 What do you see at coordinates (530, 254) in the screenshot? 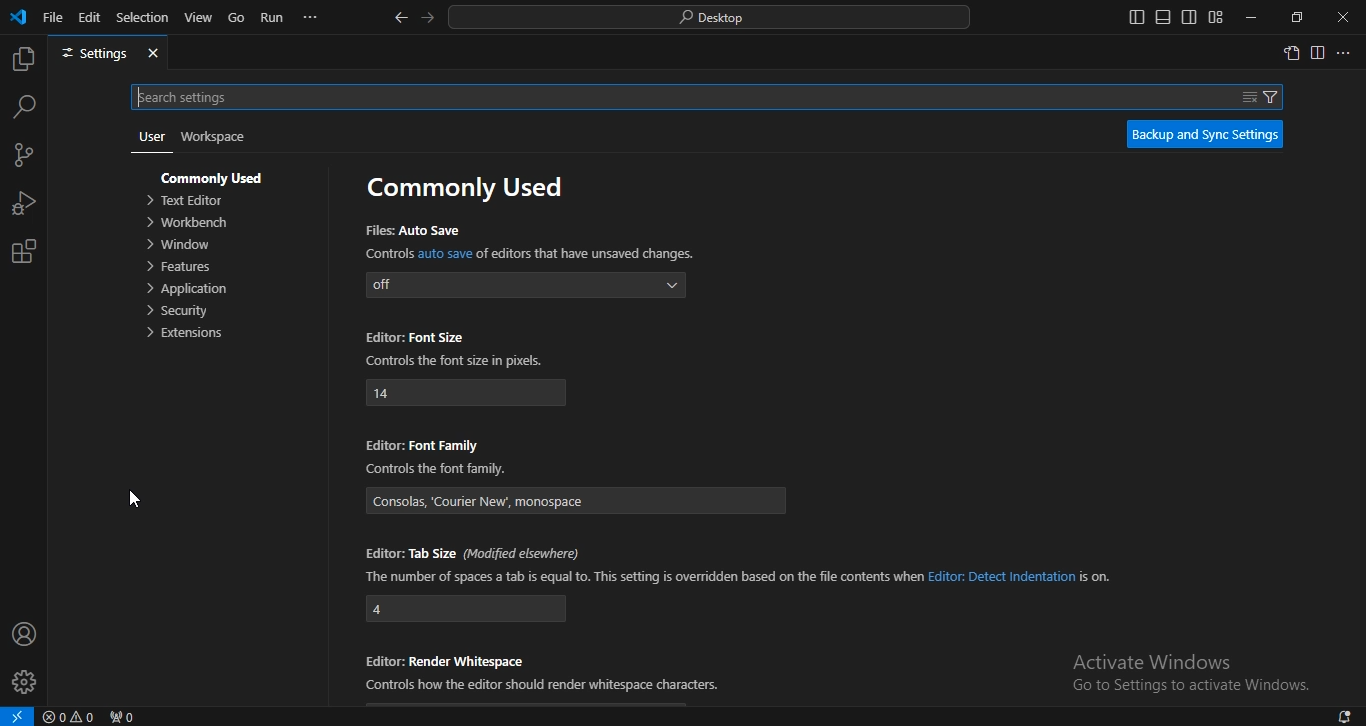
I see `files: auto save` at bounding box center [530, 254].